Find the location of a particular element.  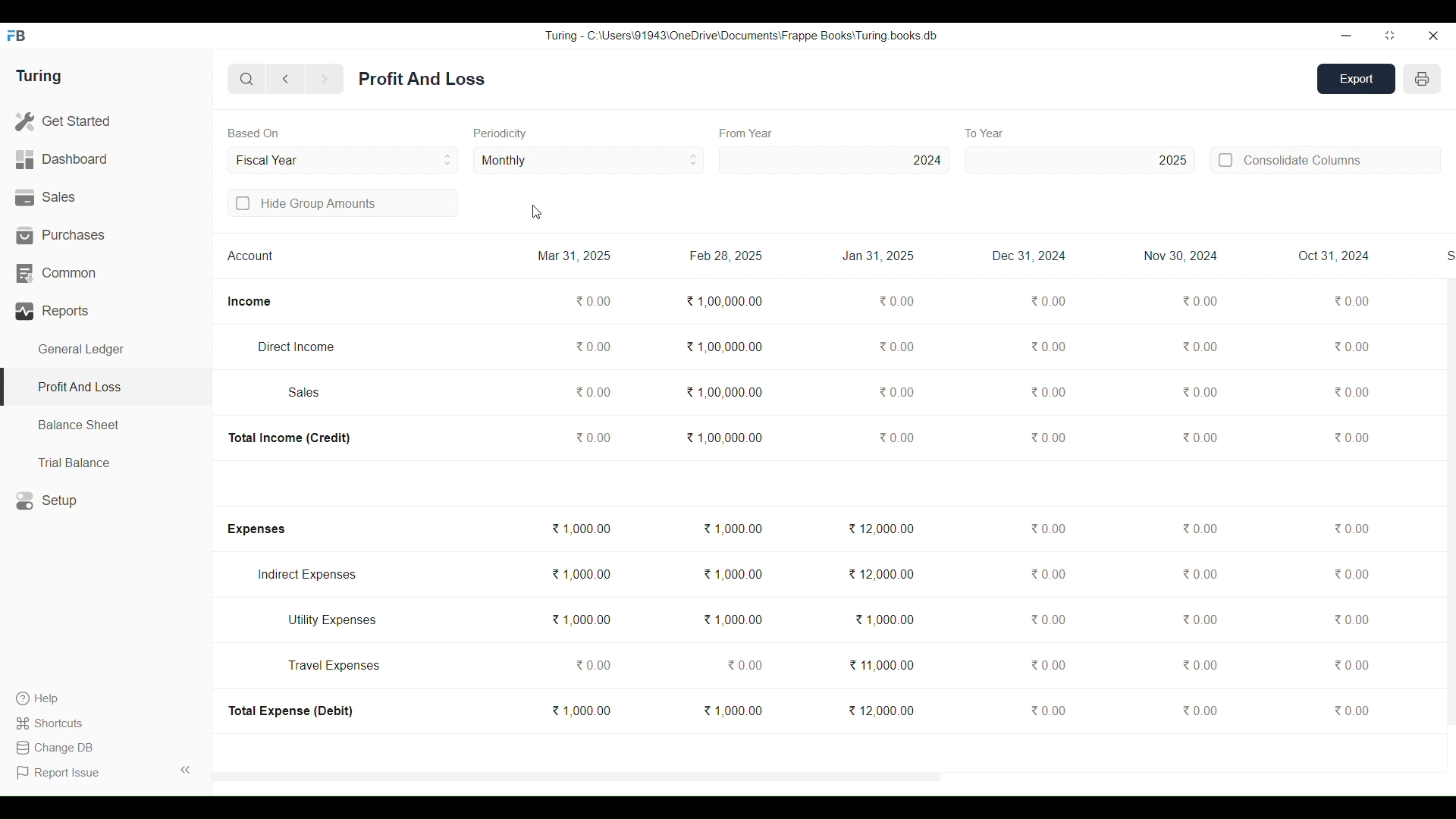

Sales is located at coordinates (105, 198).